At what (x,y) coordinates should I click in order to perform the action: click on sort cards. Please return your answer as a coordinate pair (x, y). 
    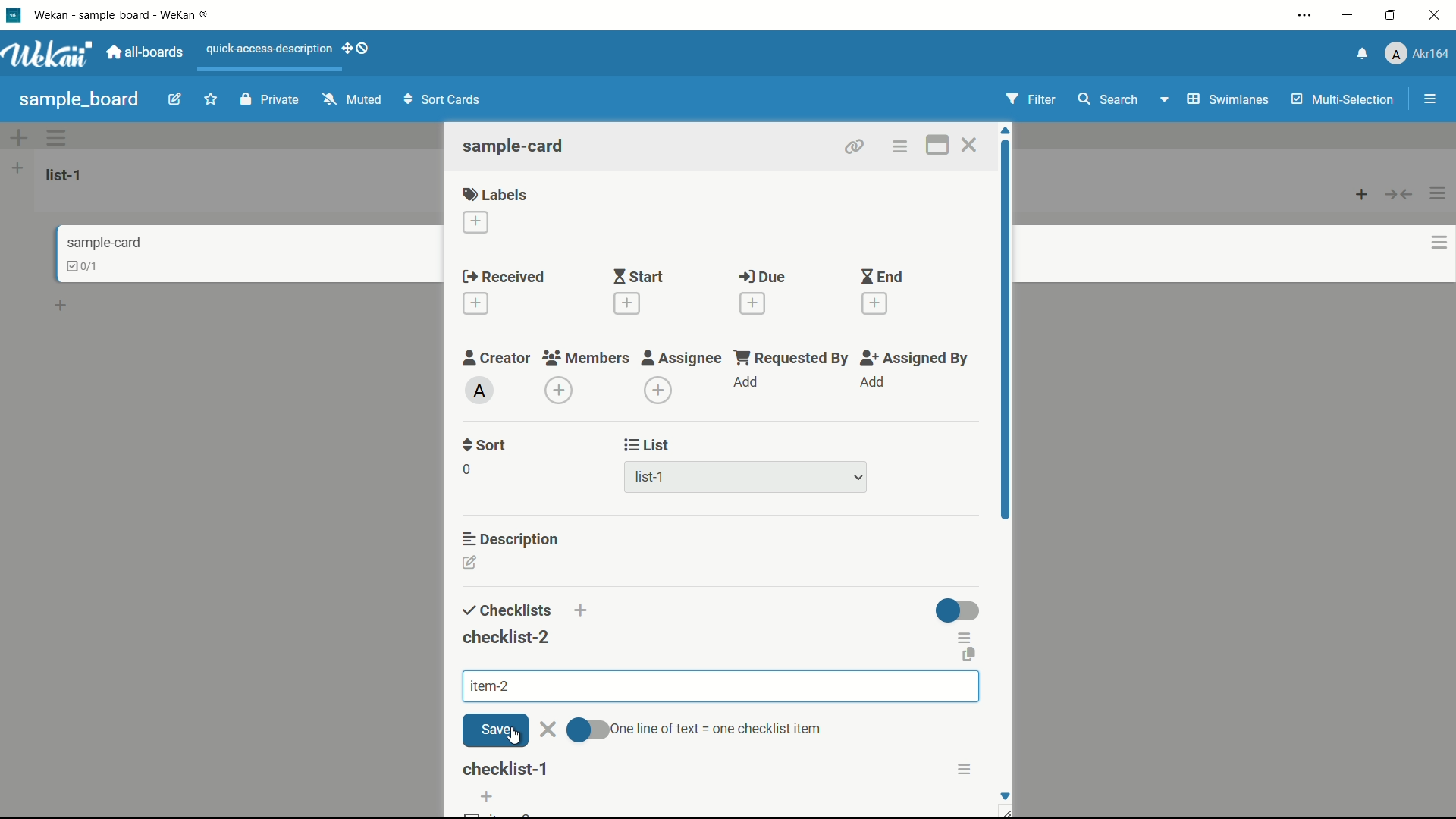
    Looking at the image, I should click on (444, 101).